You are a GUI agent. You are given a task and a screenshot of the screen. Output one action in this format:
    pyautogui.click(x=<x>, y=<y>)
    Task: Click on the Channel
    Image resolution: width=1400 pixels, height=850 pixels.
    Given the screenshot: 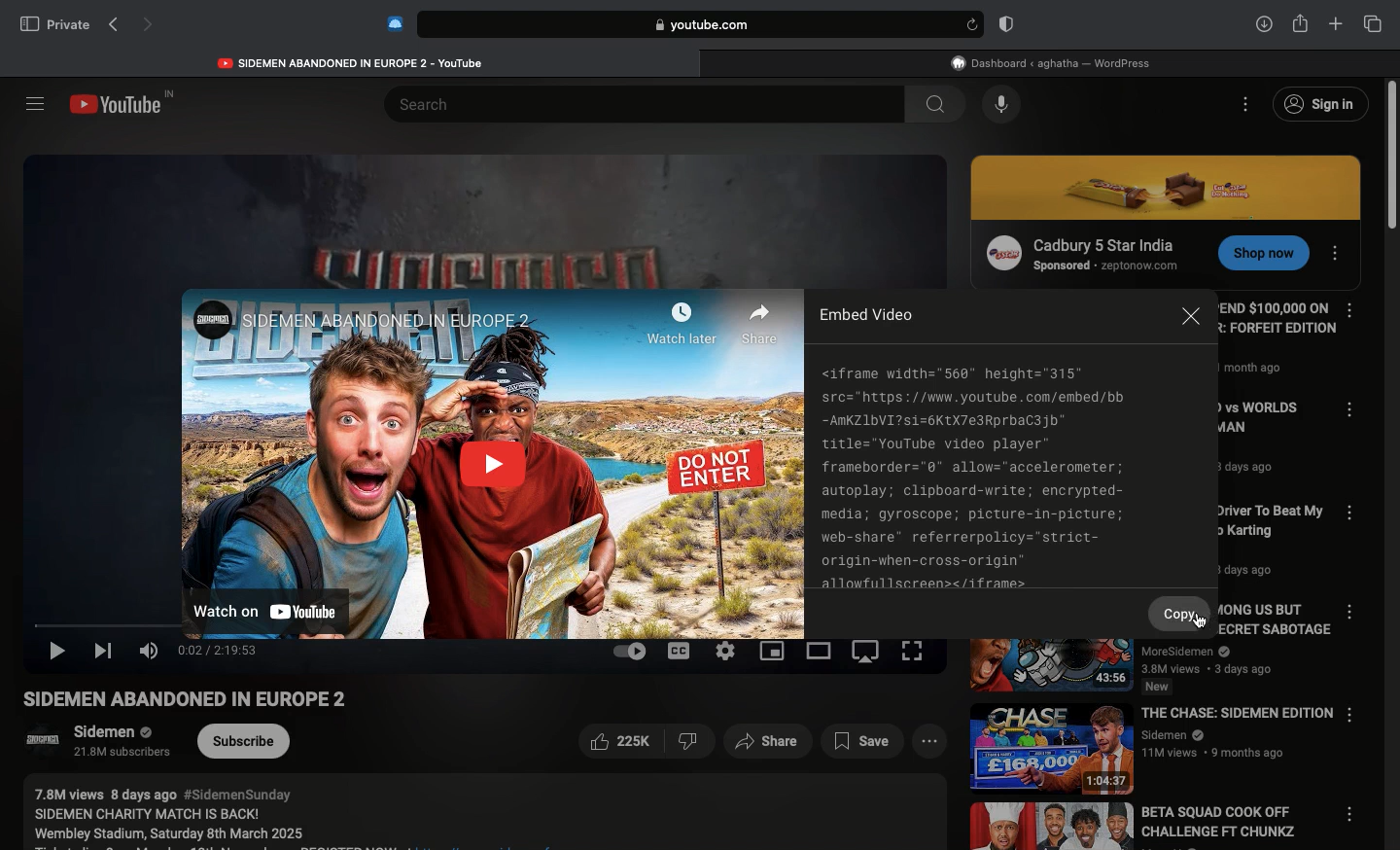 What is the action you would take?
    pyautogui.click(x=87, y=744)
    